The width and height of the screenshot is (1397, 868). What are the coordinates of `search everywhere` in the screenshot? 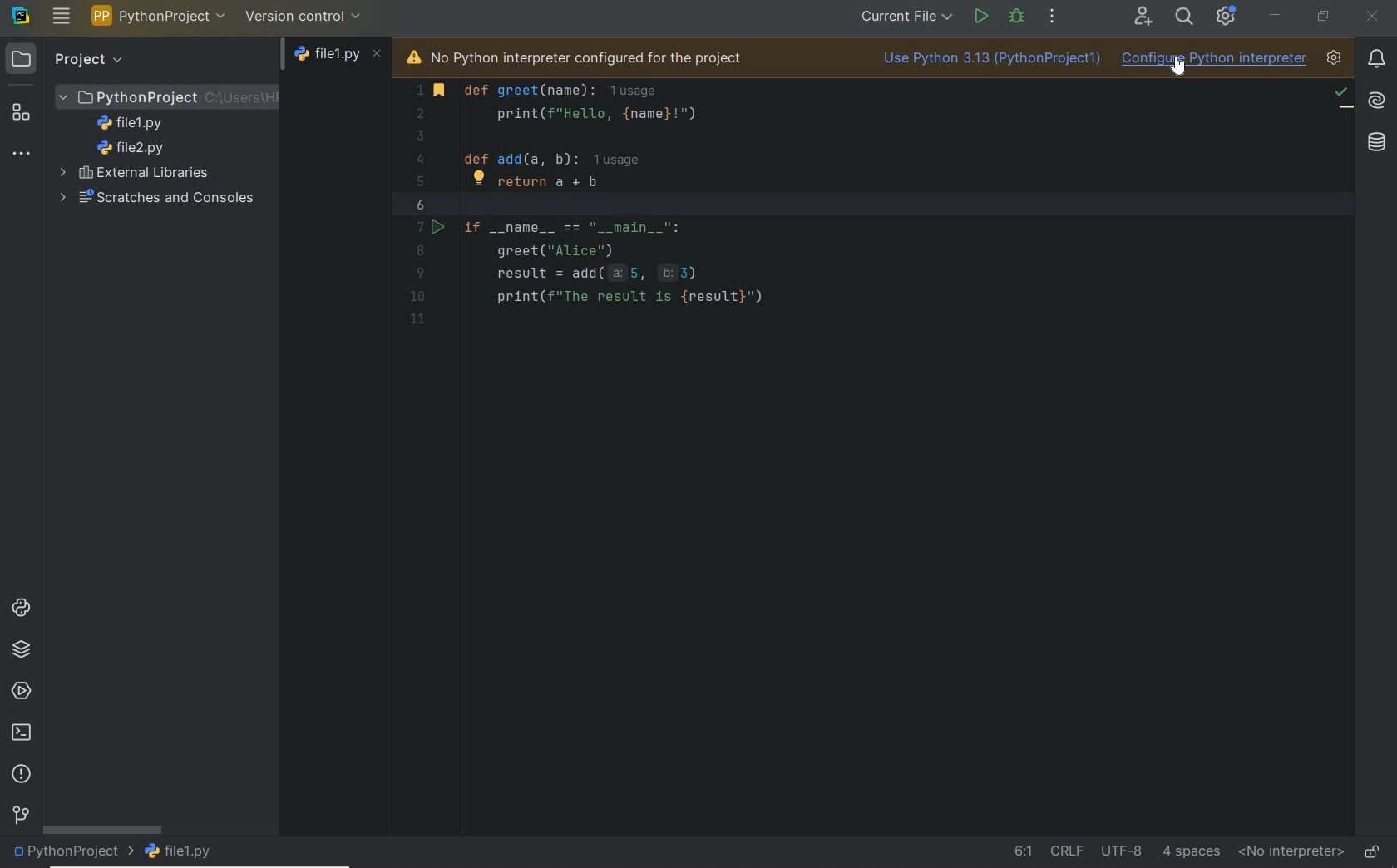 It's located at (1185, 16).